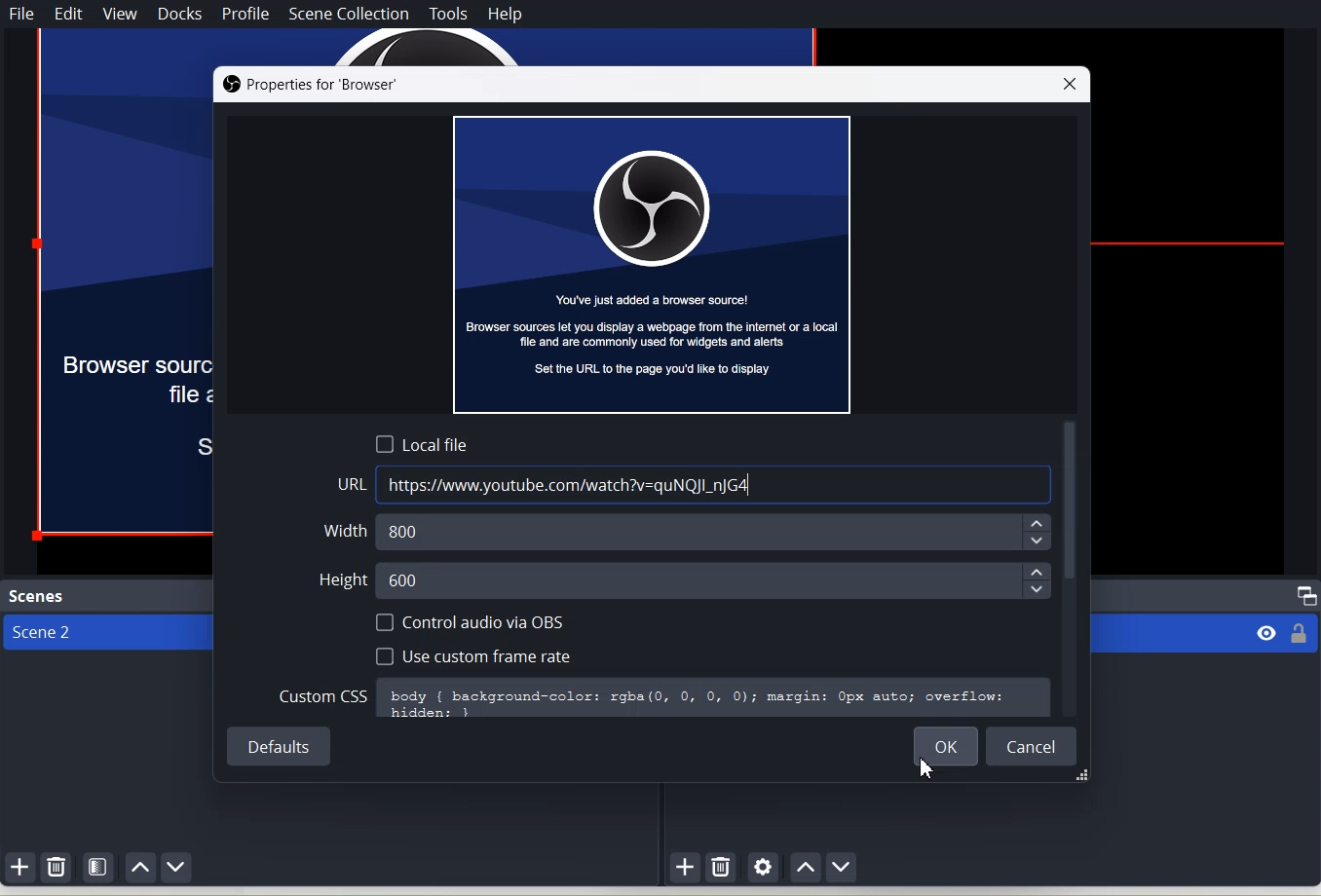 The image size is (1321, 896). I want to click on 800, so click(721, 533).